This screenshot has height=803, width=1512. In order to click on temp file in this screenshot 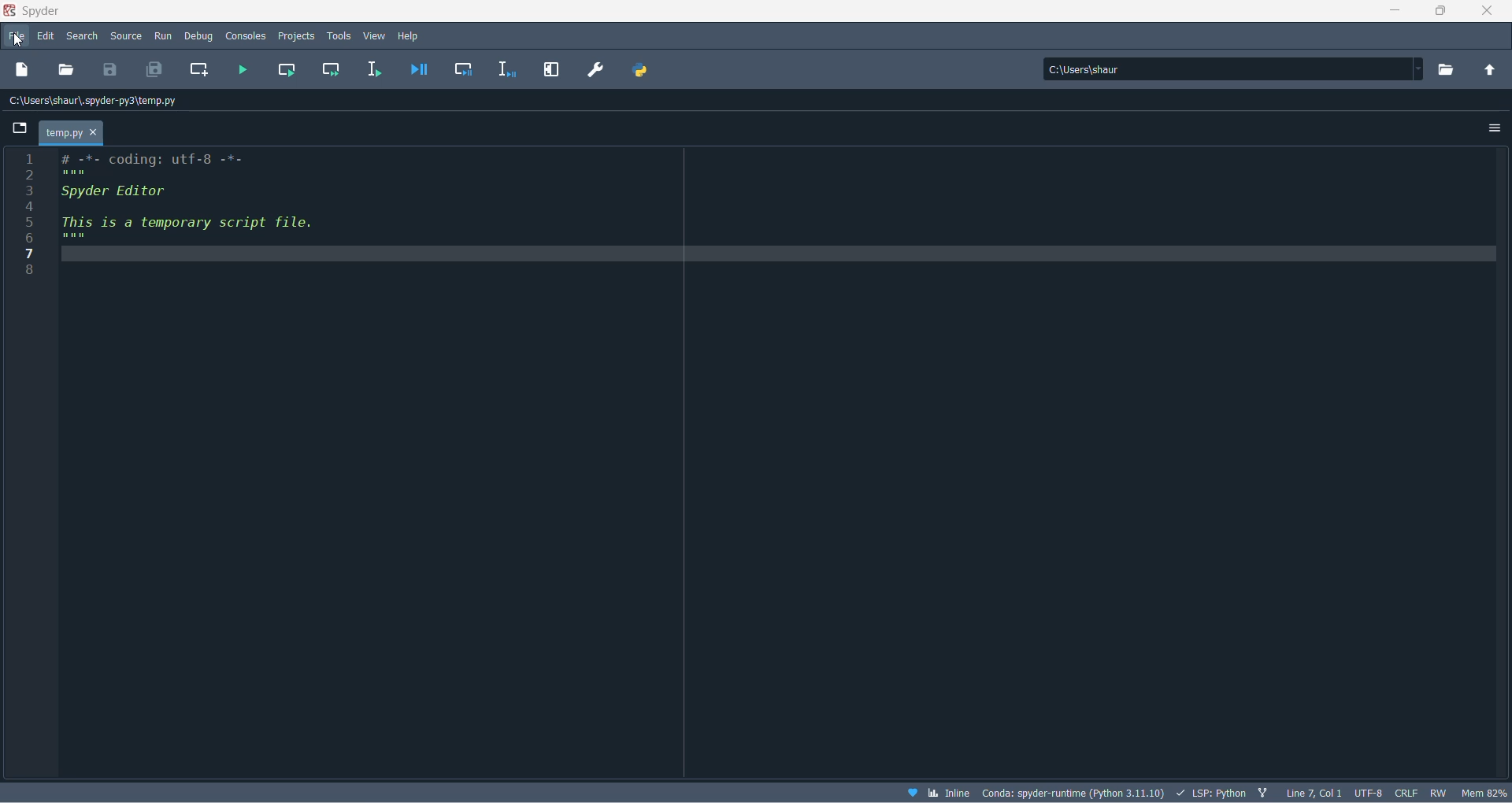, I will do `click(72, 132)`.